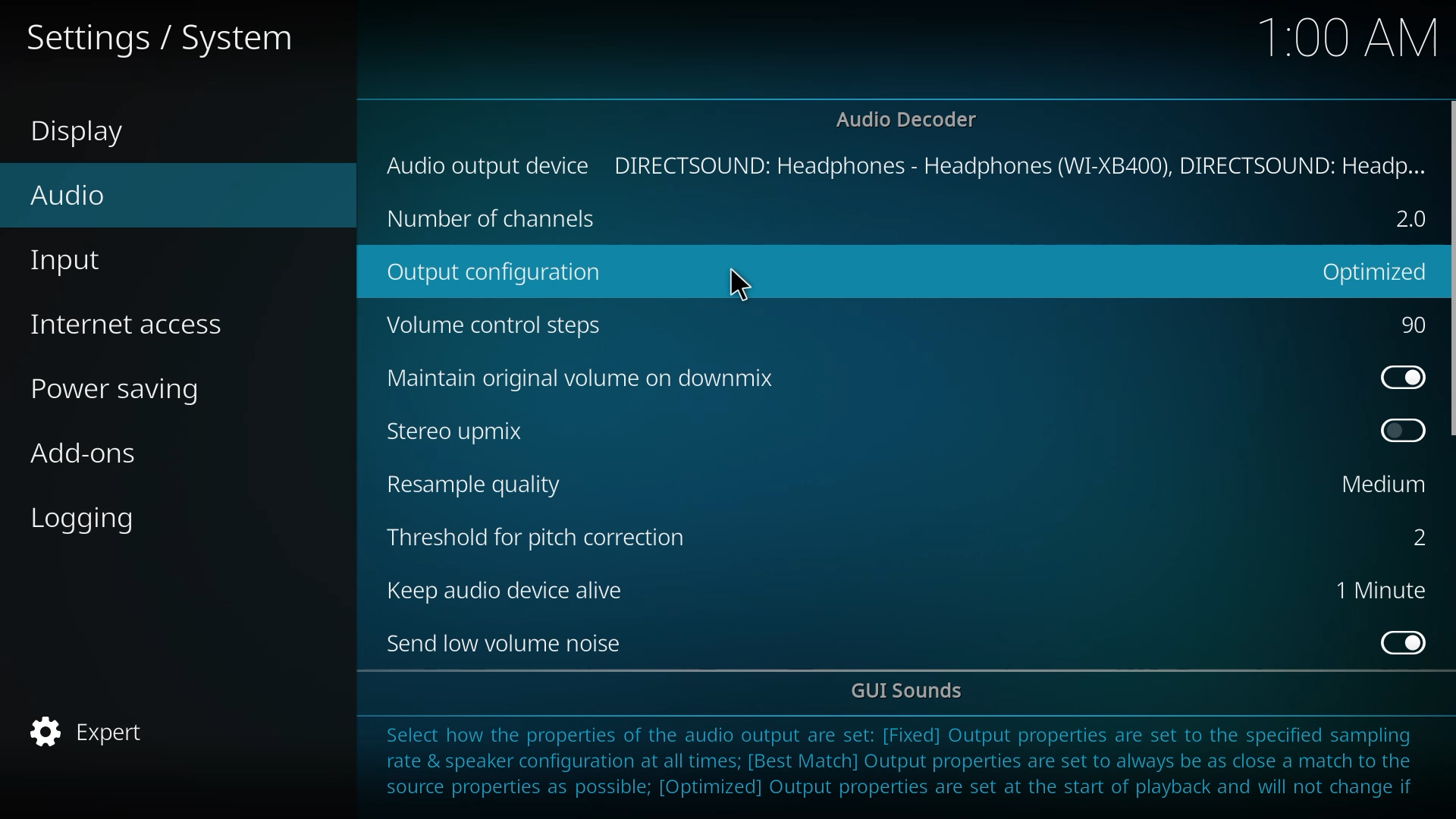  Describe the element at coordinates (101, 736) in the screenshot. I see `expert` at that location.